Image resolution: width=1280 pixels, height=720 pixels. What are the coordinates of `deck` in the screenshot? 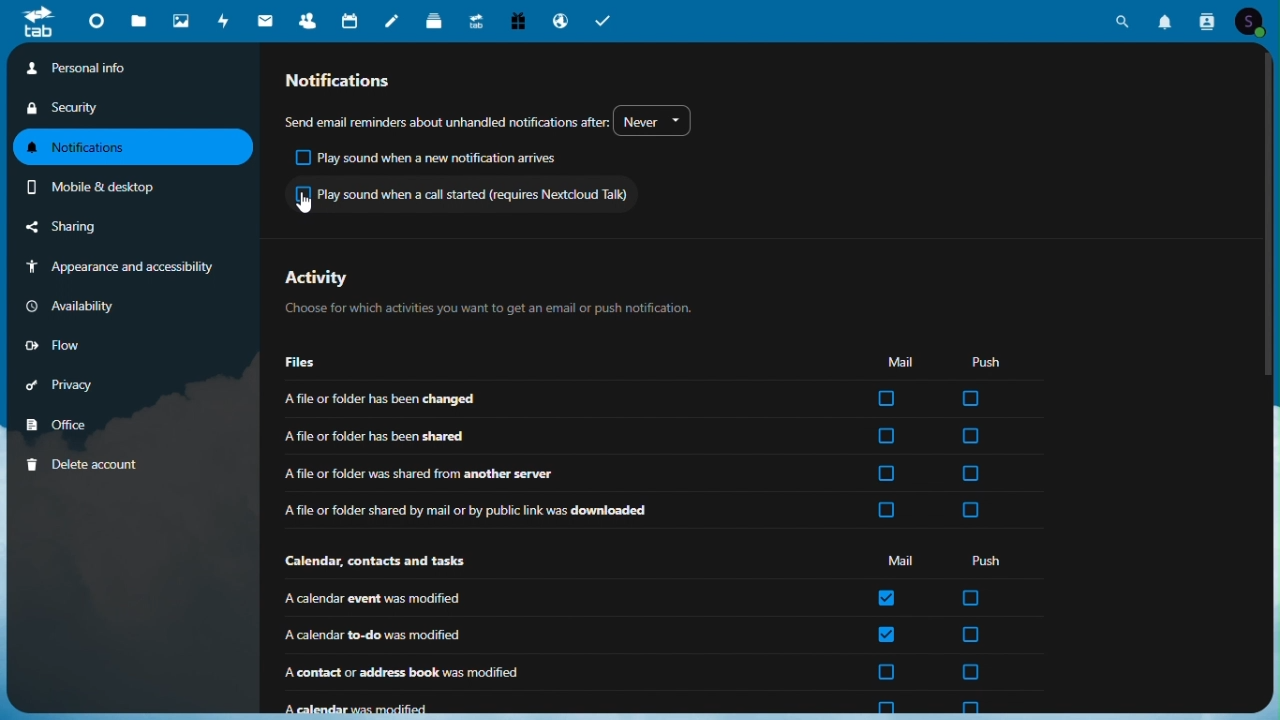 It's located at (436, 19).